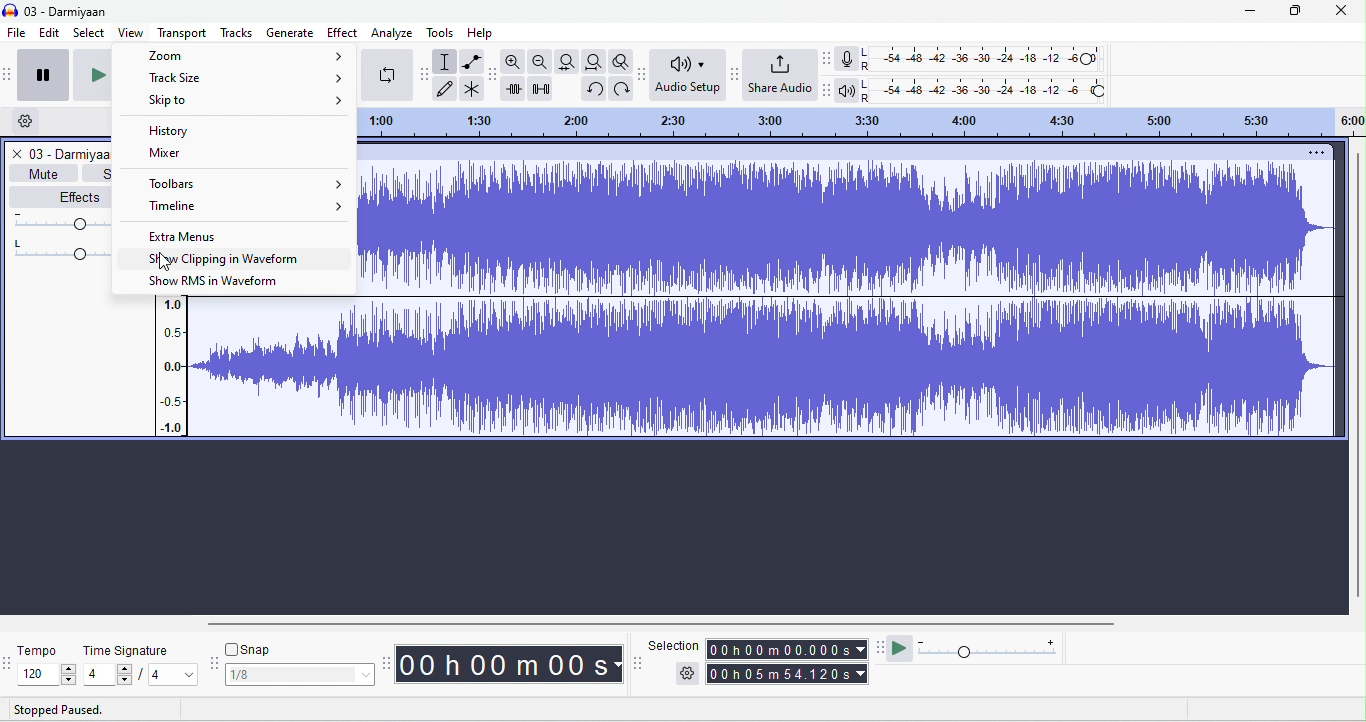 This screenshot has height=722, width=1366. I want to click on tempo, so click(40, 651).